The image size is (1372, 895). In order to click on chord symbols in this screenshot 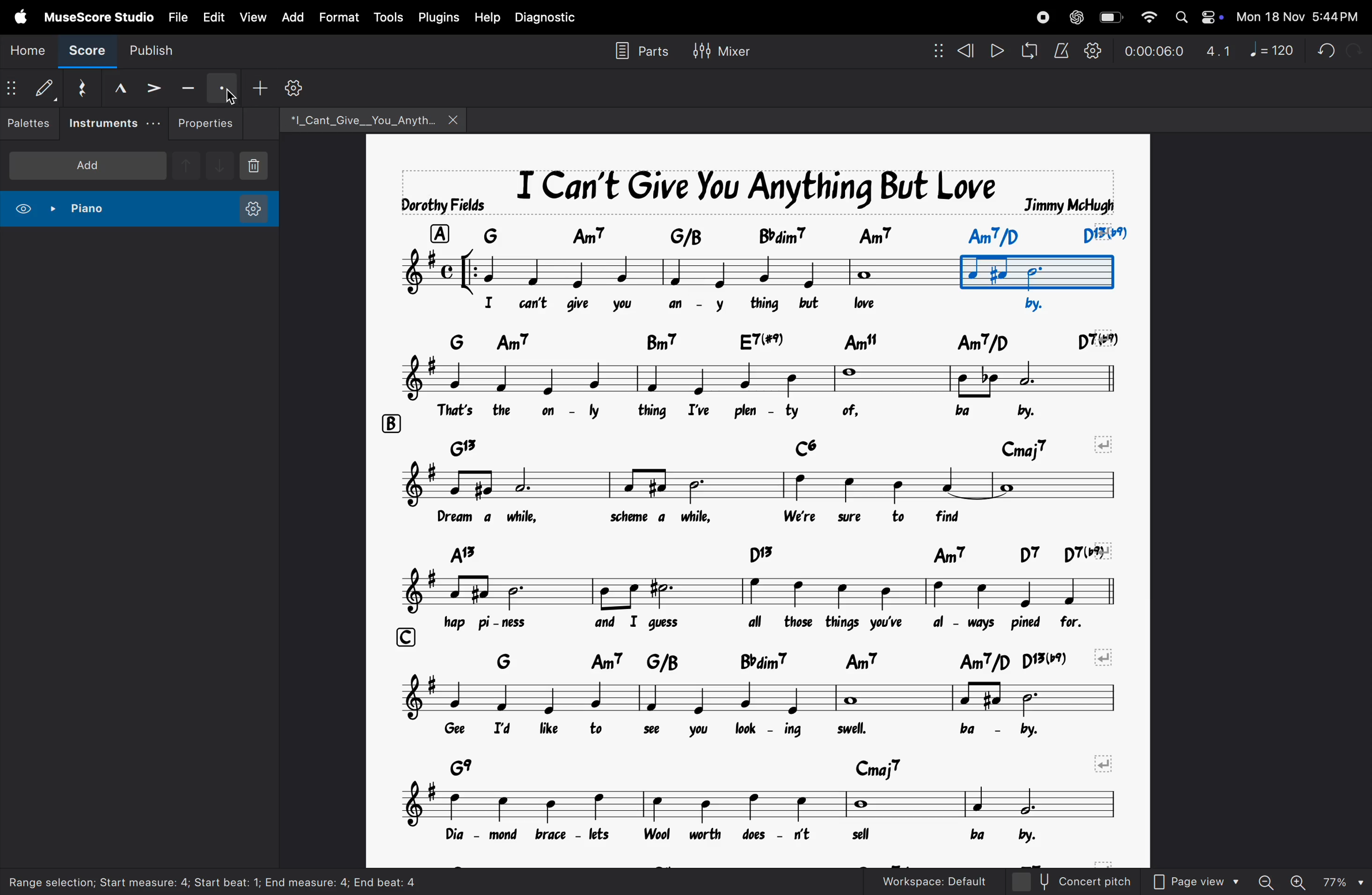, I will do `click(794, 661)`.